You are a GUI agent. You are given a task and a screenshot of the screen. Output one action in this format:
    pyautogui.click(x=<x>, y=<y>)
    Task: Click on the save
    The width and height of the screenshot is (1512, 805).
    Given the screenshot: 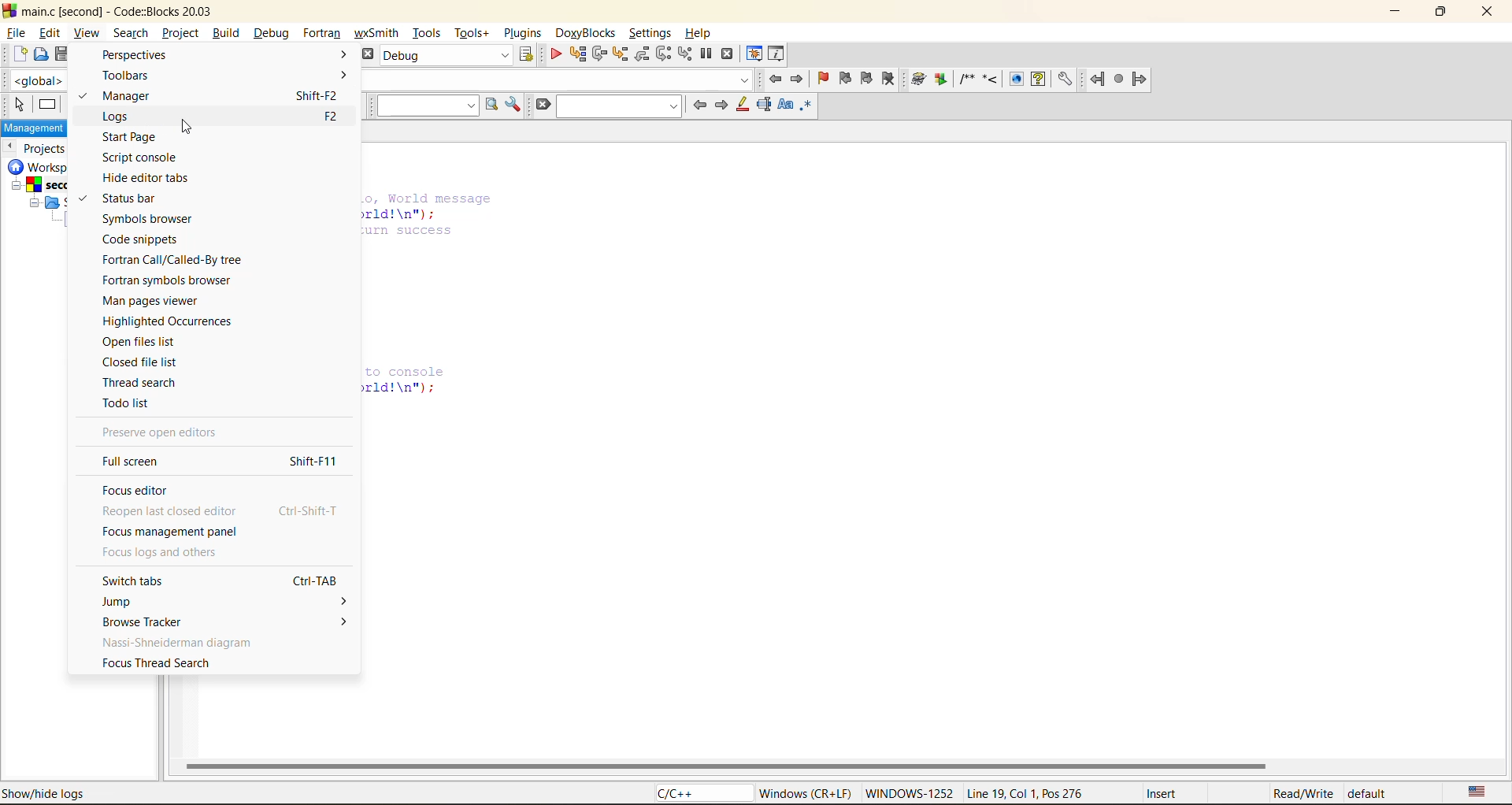 What is the action you would take?
    pyautogui.click(x=59, y=53)
    